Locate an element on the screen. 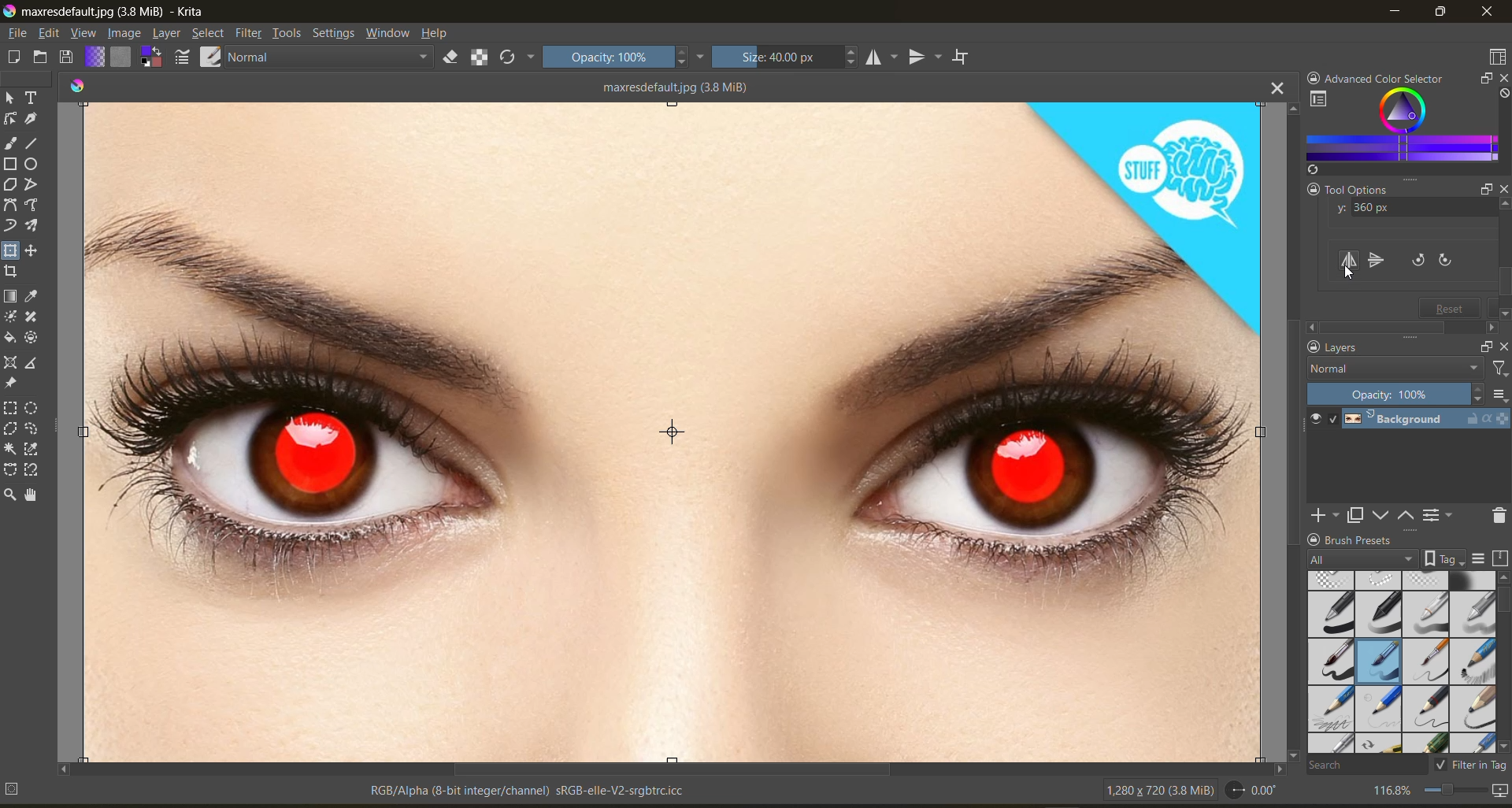 The width and height of the screenshot is (1512, 808). cursor is located at coordinates (1348, 272).